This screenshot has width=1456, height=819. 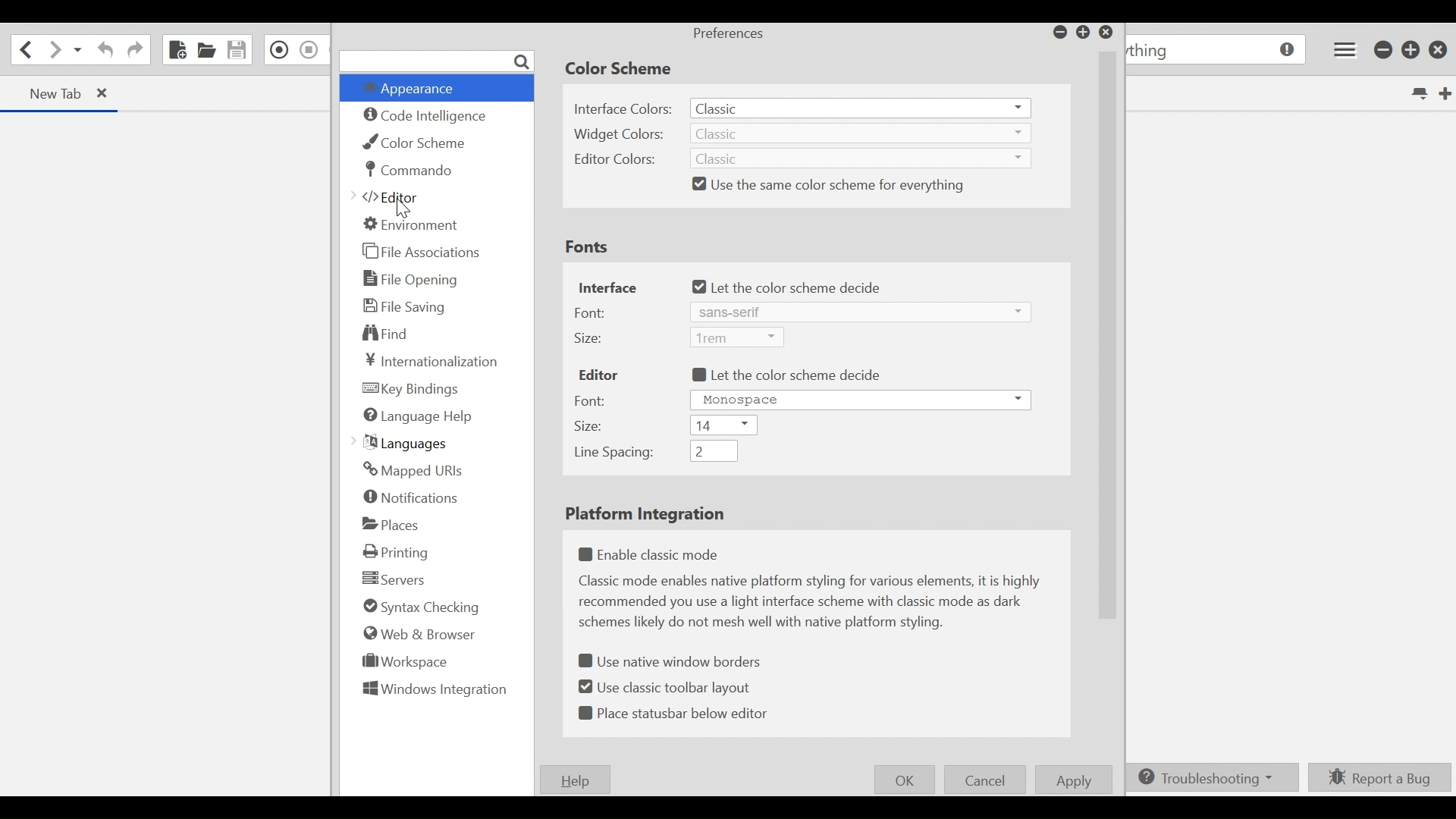 I want to click on New Tab, so click(x=1443, y=93).